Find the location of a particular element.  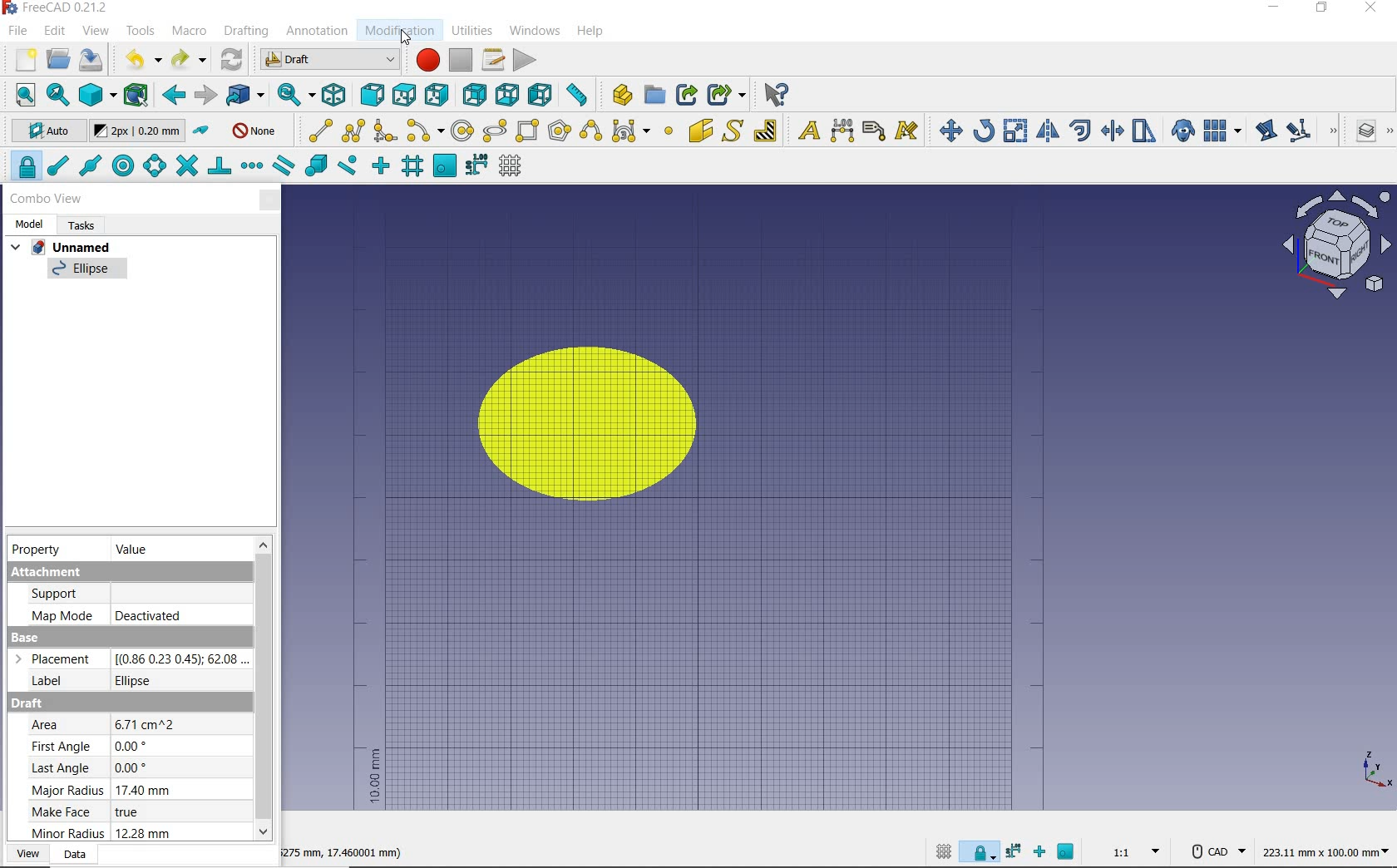

top is located at coordinates (405, 94).